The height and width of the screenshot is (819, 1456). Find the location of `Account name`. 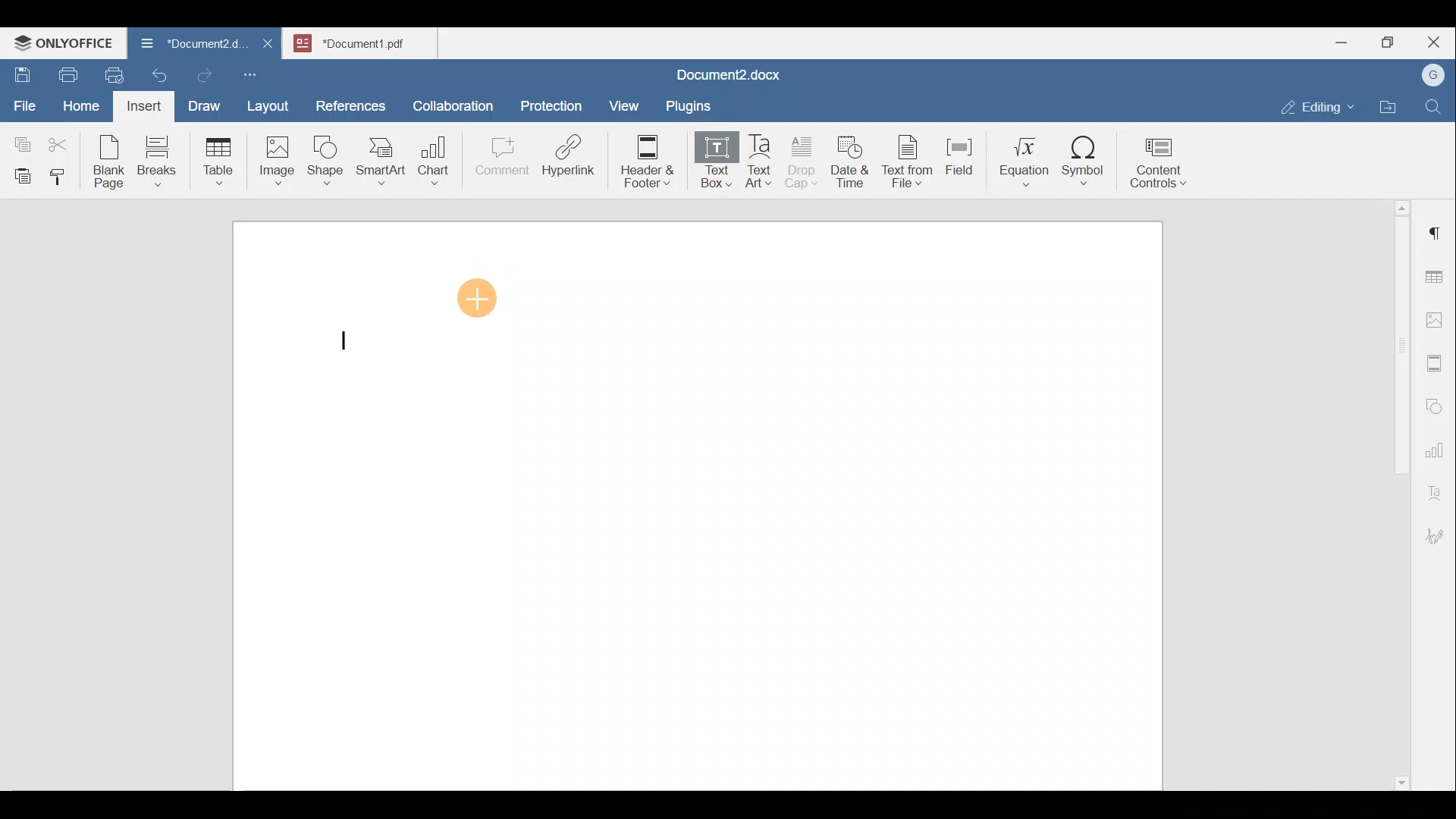

Account name is located at coordinates (1429, 76).